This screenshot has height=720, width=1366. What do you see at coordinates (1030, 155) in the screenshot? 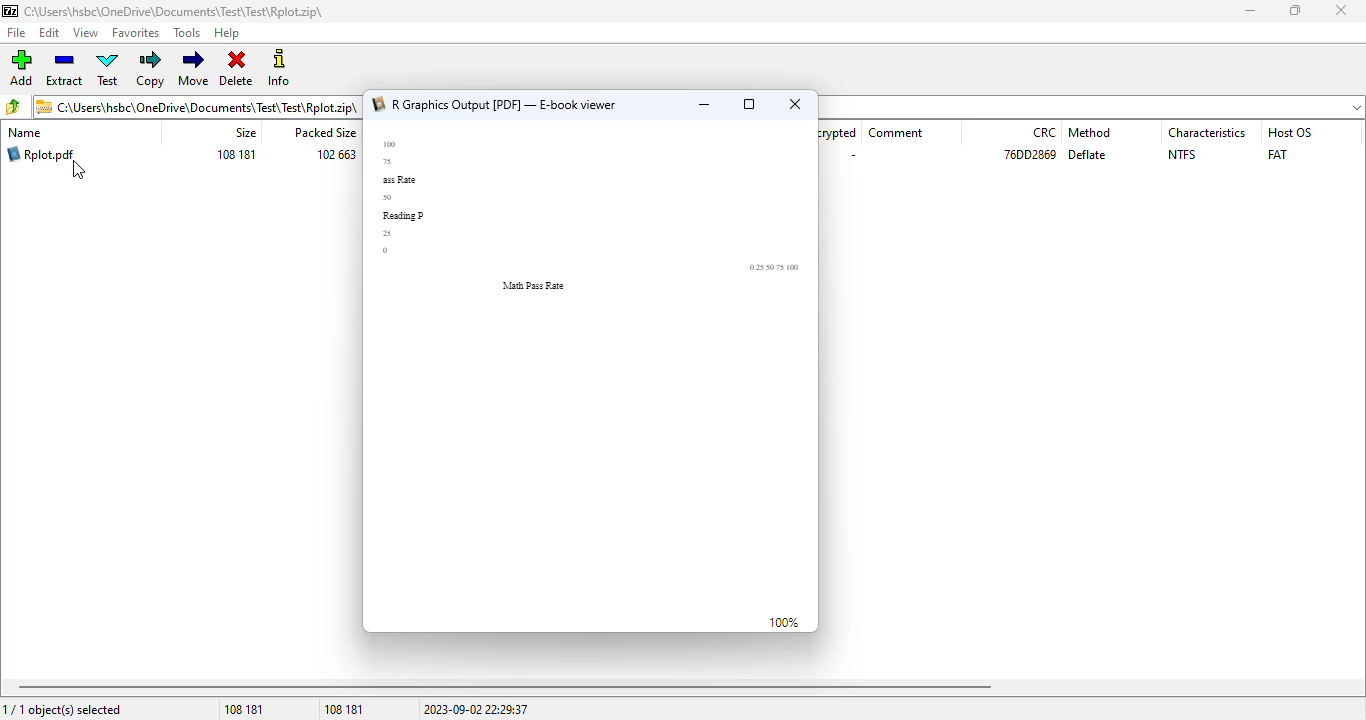
I see `76DD2869` at bounding box center [1030, 155].